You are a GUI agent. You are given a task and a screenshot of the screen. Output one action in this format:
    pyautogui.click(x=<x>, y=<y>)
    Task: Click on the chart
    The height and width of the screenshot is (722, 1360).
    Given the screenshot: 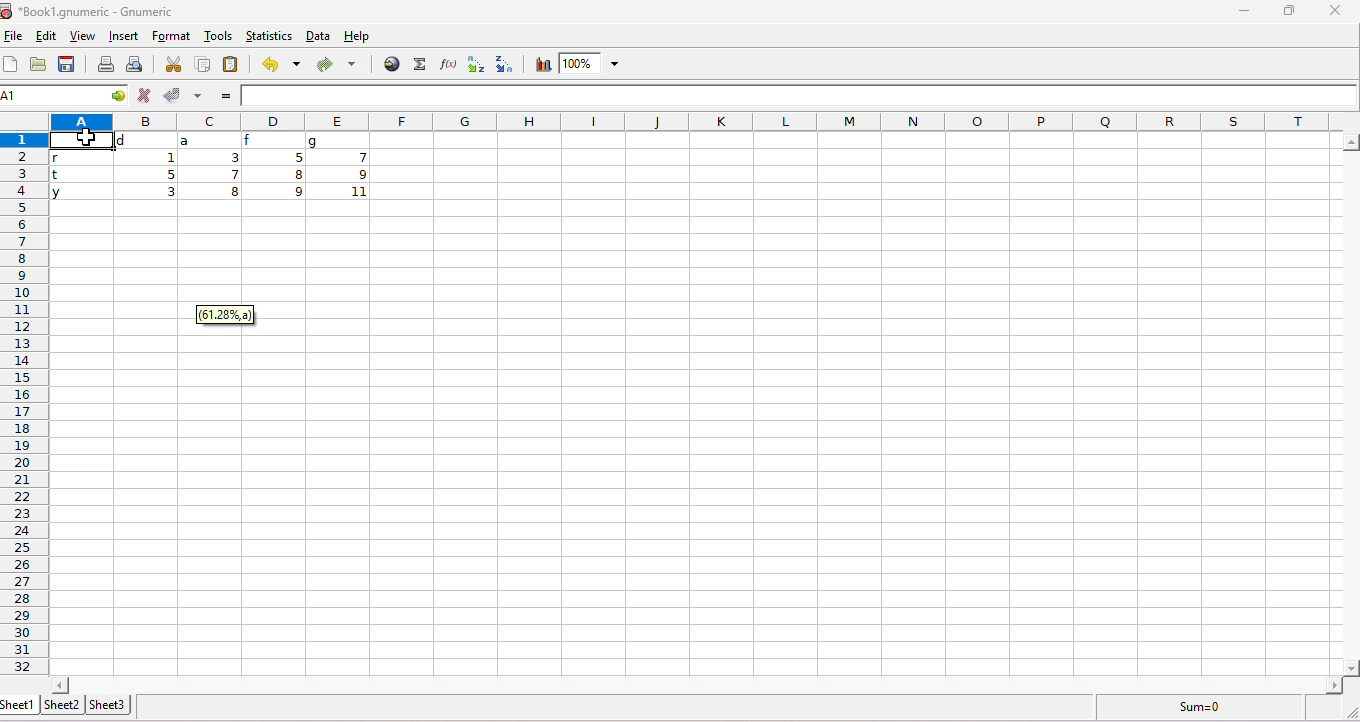 What is the action you would take?
    pyautogui.click(x=541, y=65)
    